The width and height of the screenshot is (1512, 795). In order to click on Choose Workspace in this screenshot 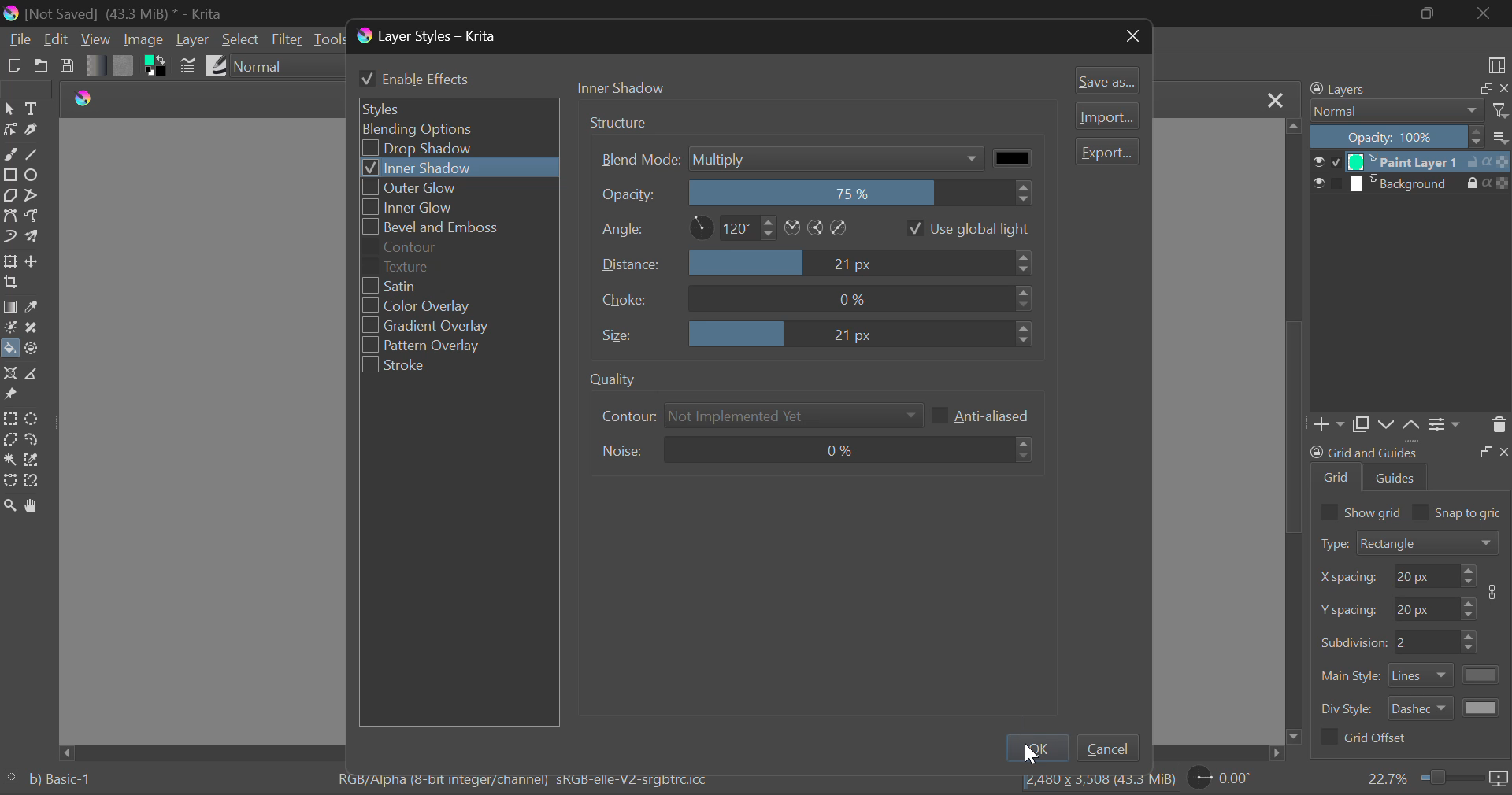, I will do `click(1495, 65)`.